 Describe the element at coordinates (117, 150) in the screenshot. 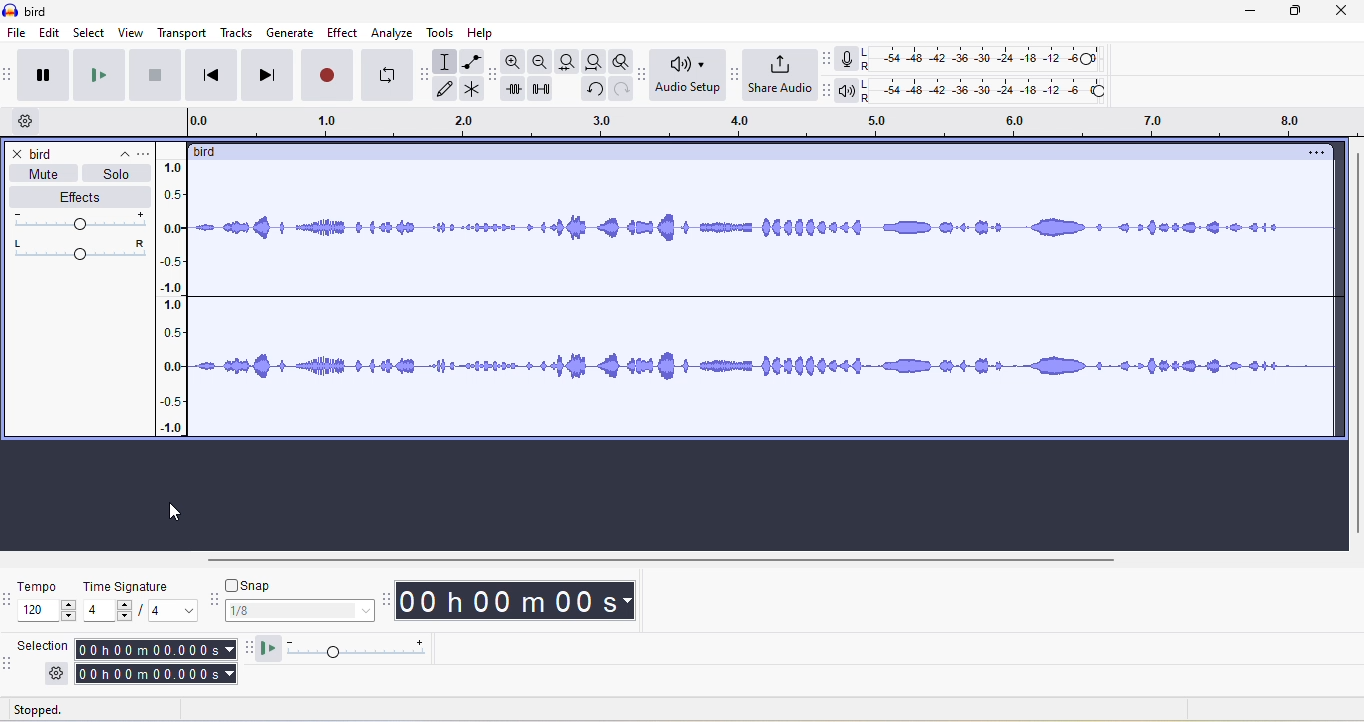

I see `collapse` at that location.